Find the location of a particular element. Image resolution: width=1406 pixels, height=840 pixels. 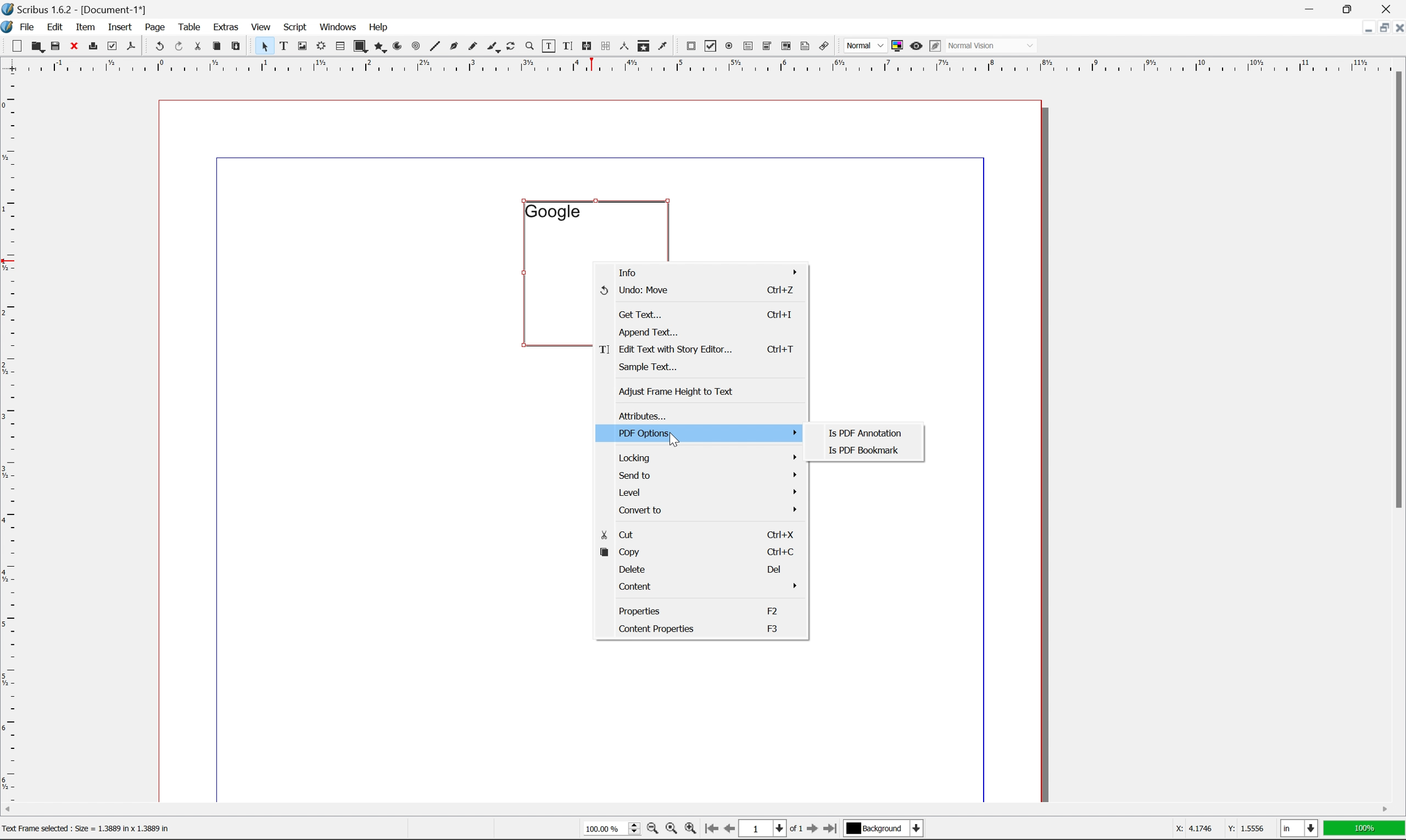

copy is located at coordinates (619, 552).